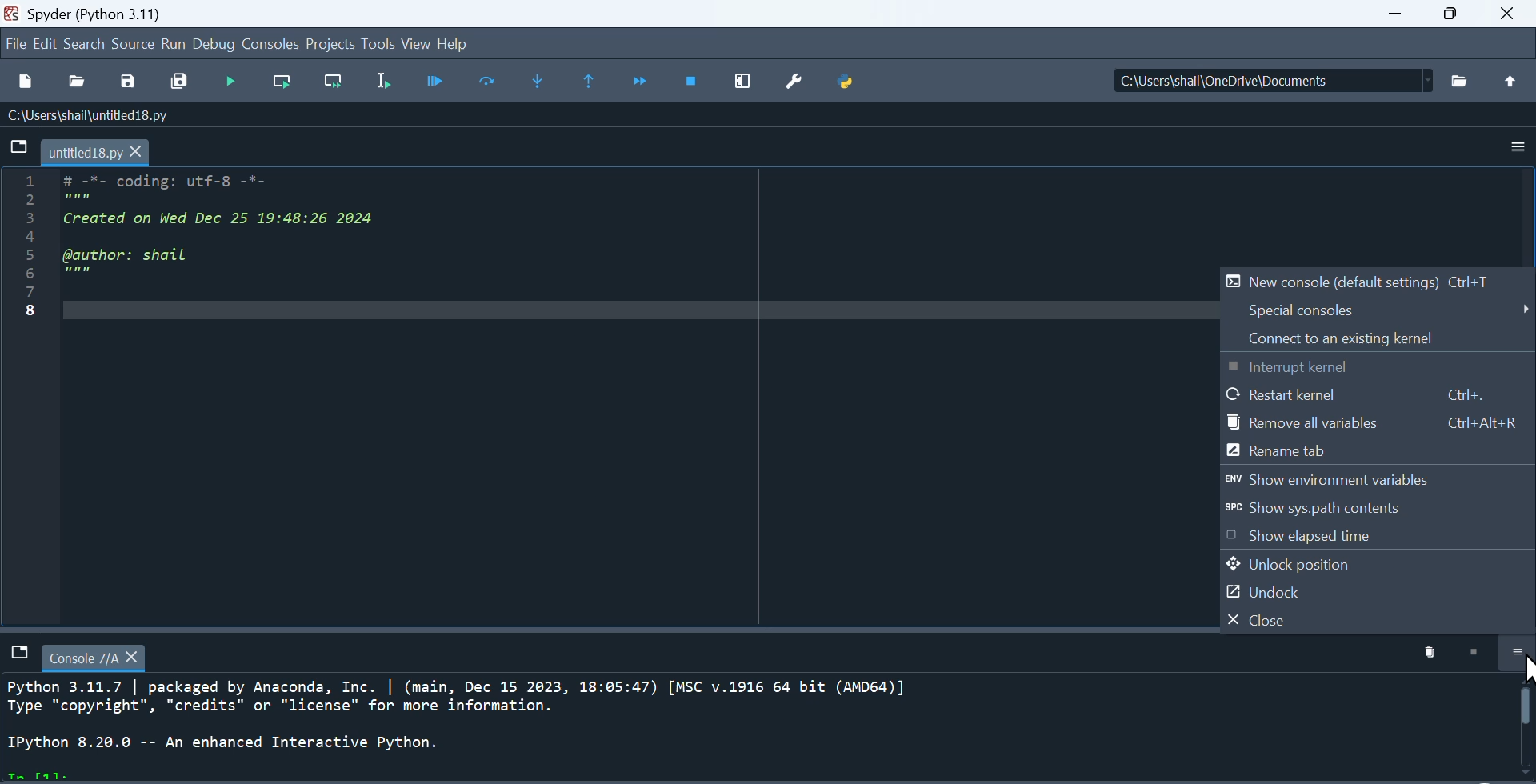  What do you see at coordinates (231, 82) in the screenshot?
I see `run file` at bounding box center [231, 82].